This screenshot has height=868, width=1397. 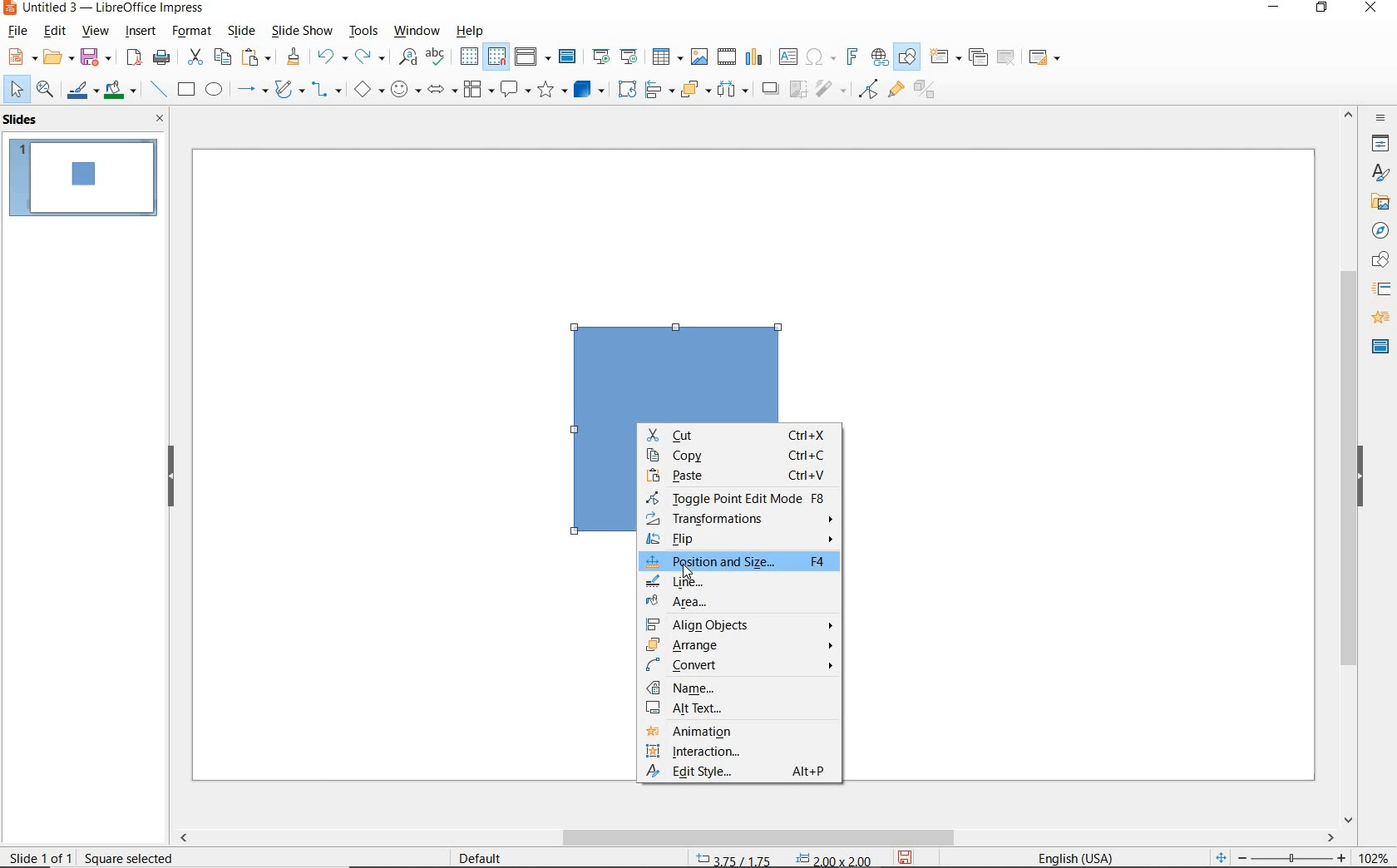 What do you see at coordinates (131, 856) in the screenshot?
I see `square selected` at bounding box center [131, 856].